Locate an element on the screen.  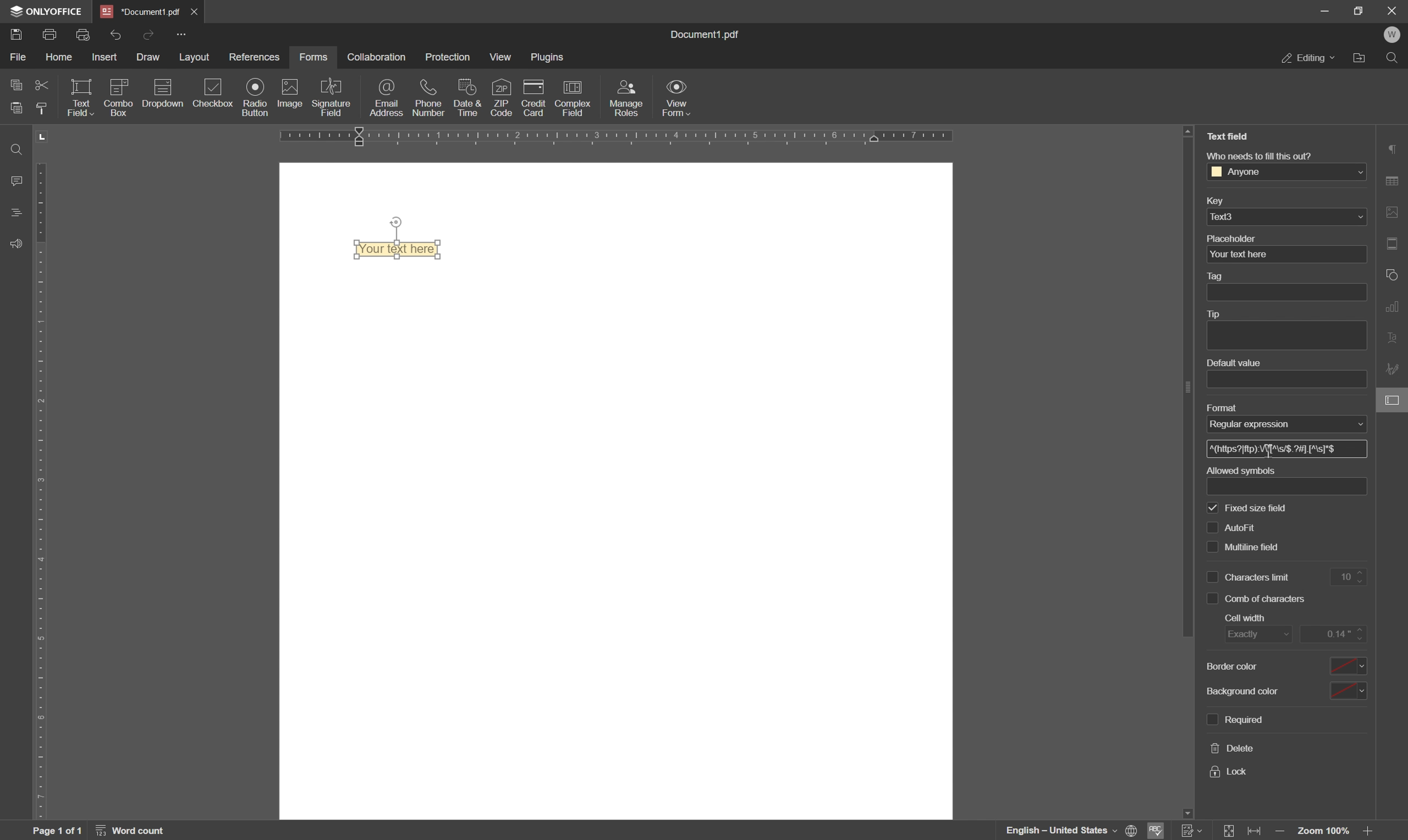
multiline field is located at coordinates (1253, 523).